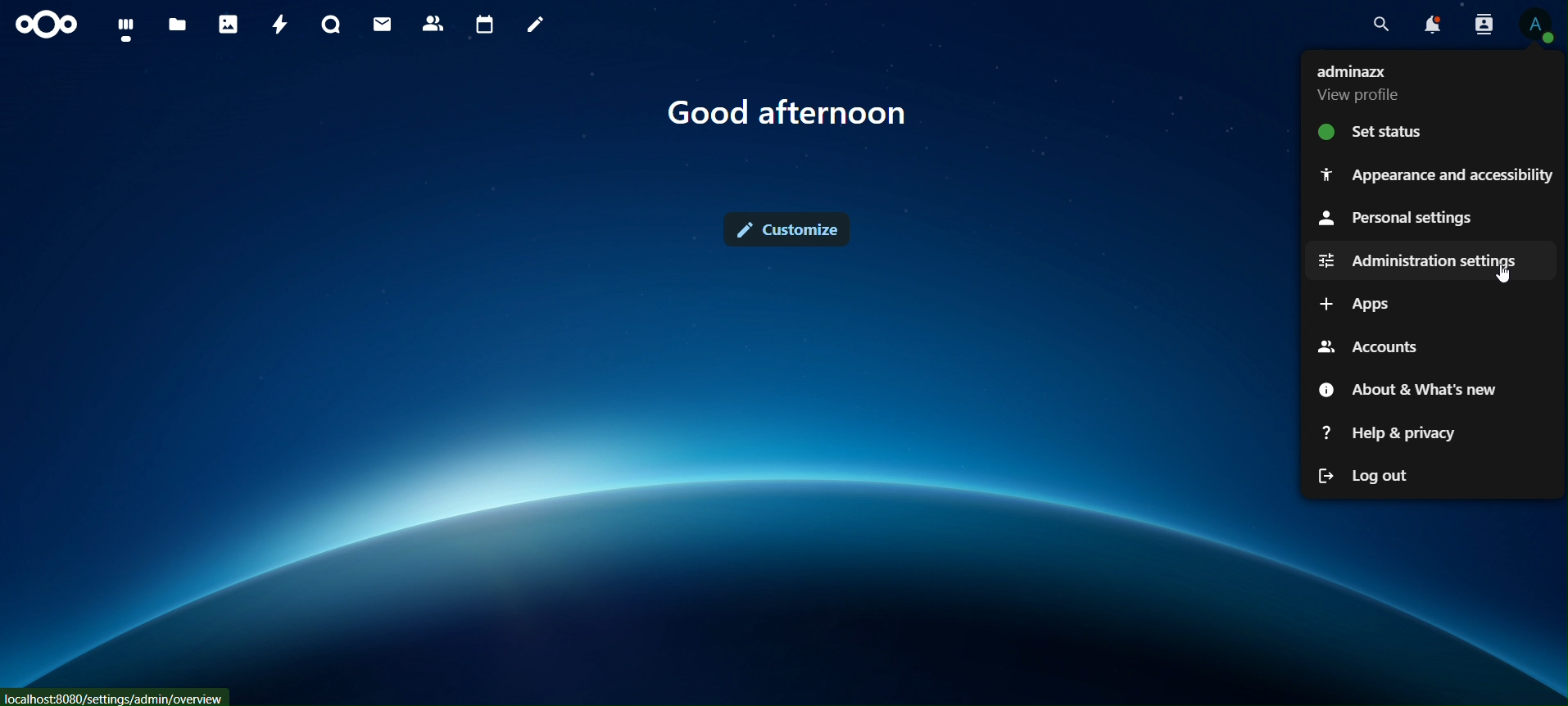 The height and width of the screenshot is (706, 1568). What do you see at coordinates (279, 24) in the screenshot?
I see `activity` at bounding box center [279, 24].